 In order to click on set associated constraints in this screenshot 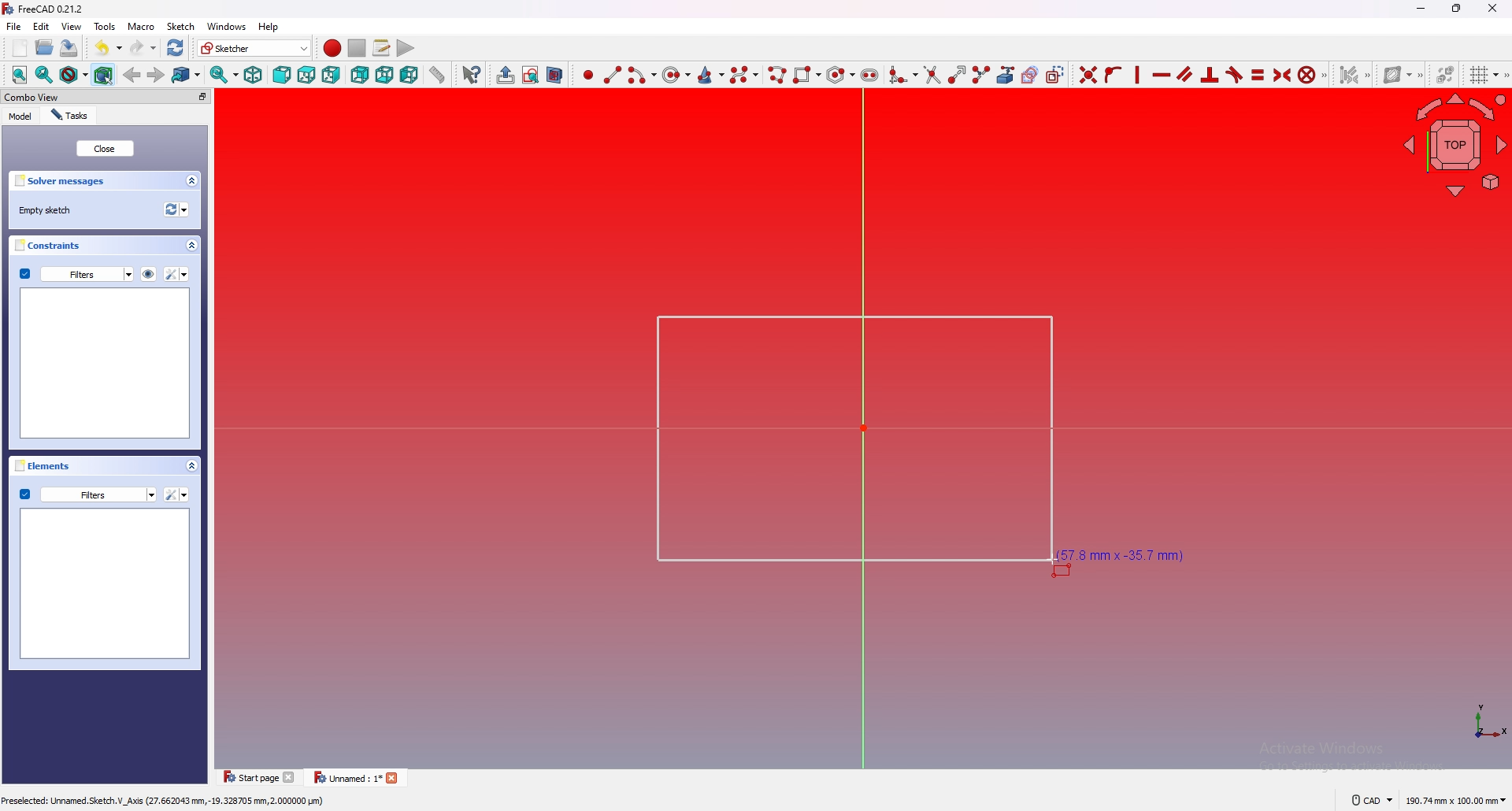, I will do `click(1354, 75)`.